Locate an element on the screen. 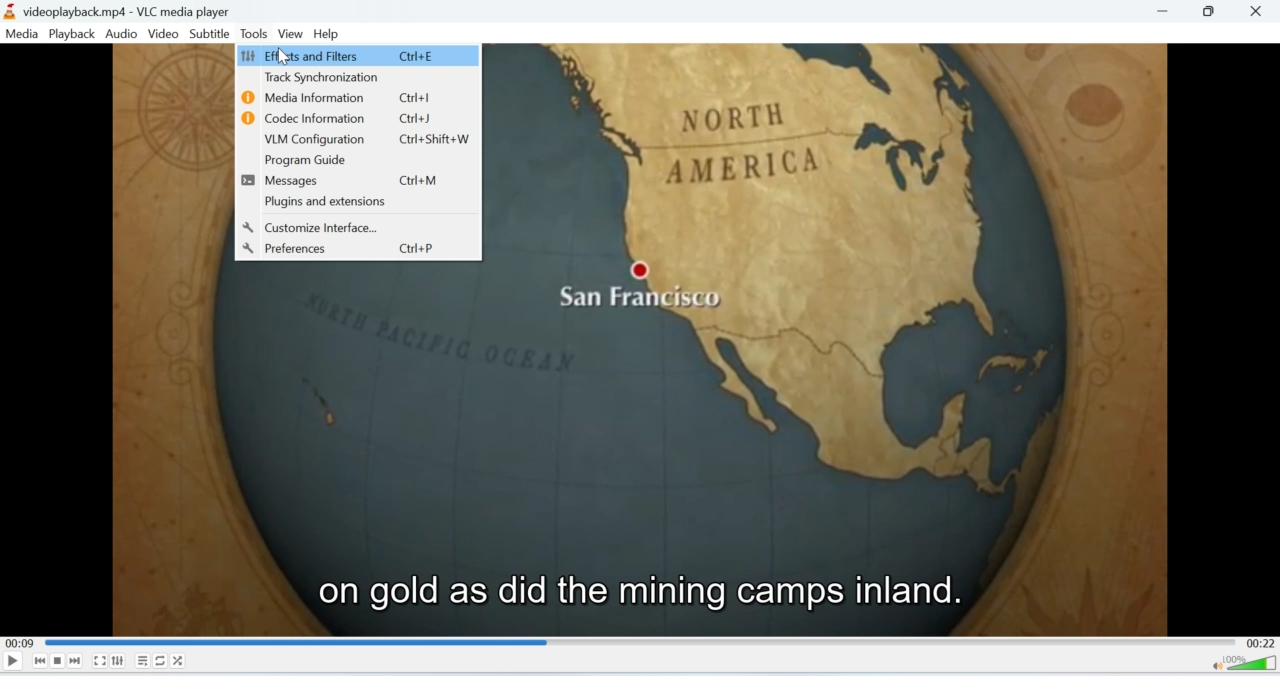 This screenshot has width=1280, height=676. Media is located at coordinates (22, 34).